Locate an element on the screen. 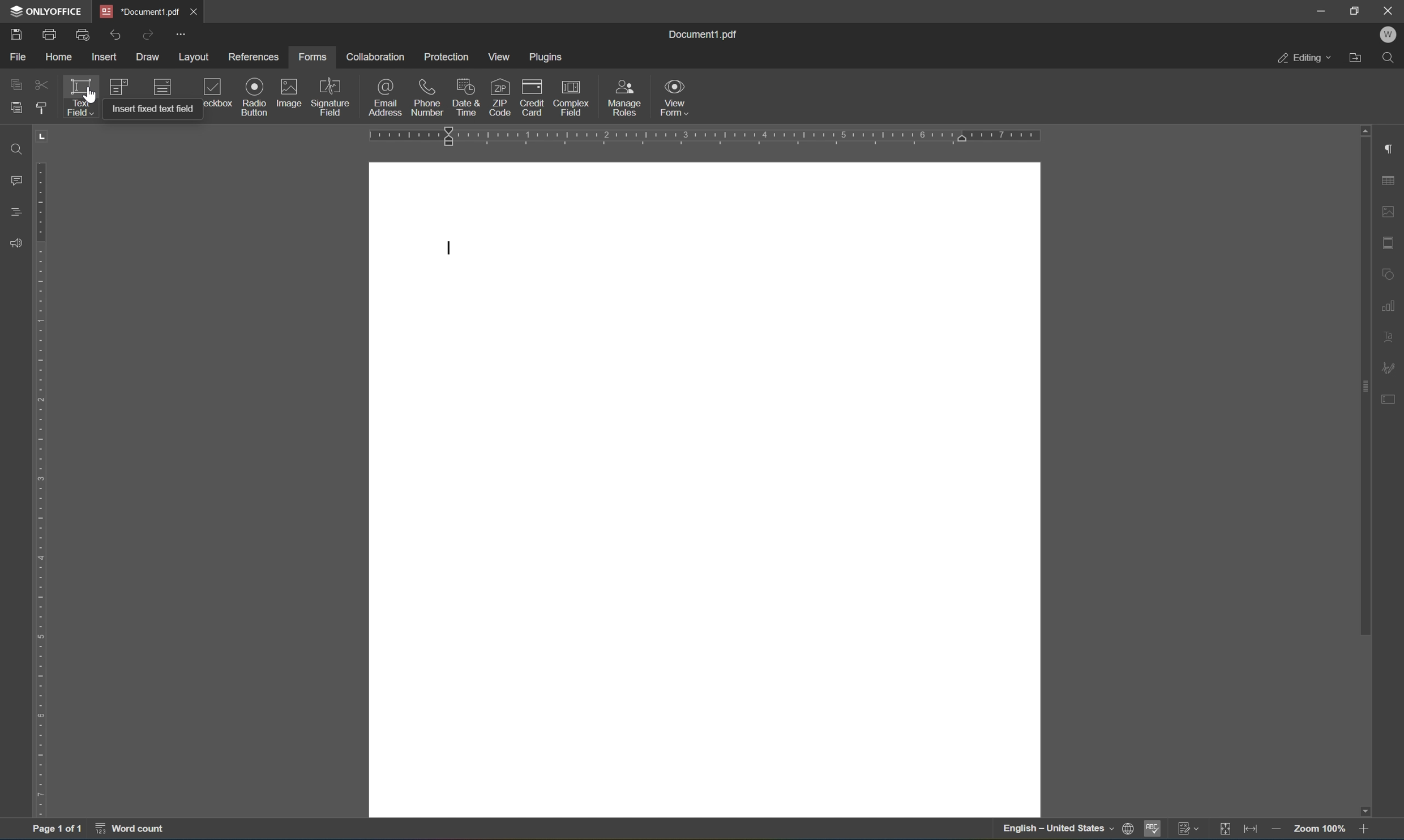  file is located at coordinates (15, 56).